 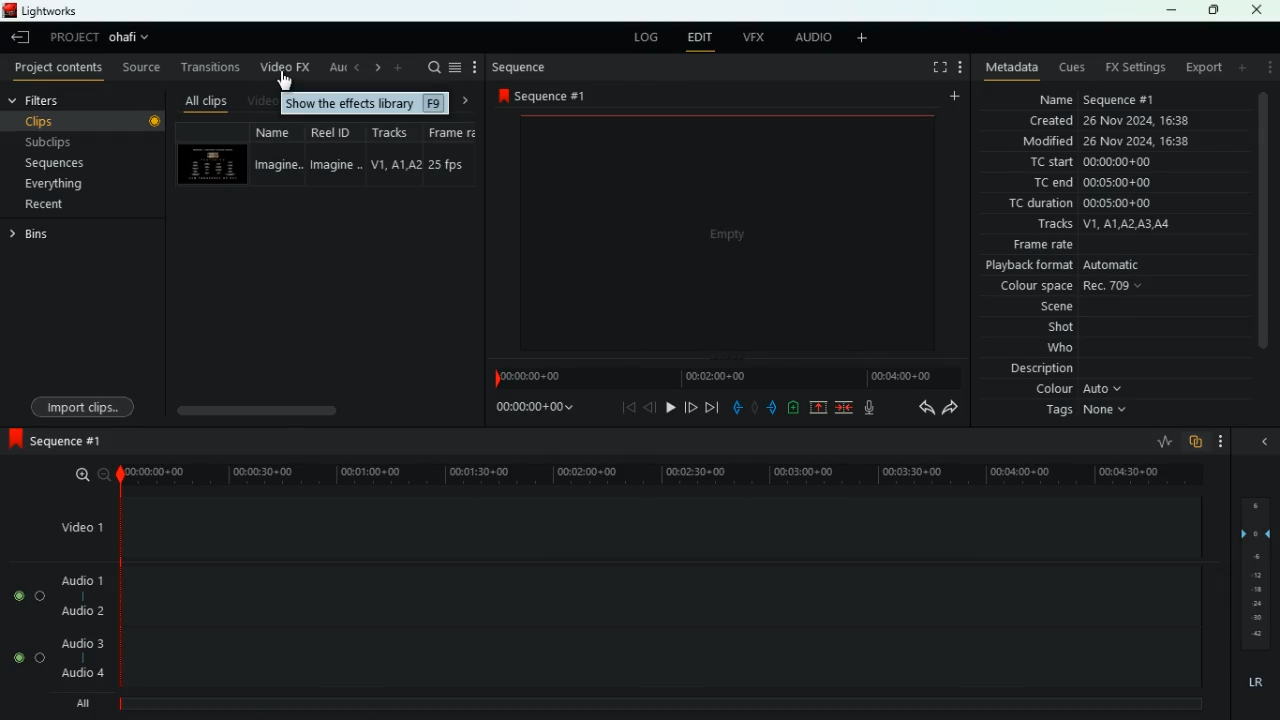 What do you see at coordinates (755, 38) in the screenshot?
I see `vfx` at bounding box center [755, 38].